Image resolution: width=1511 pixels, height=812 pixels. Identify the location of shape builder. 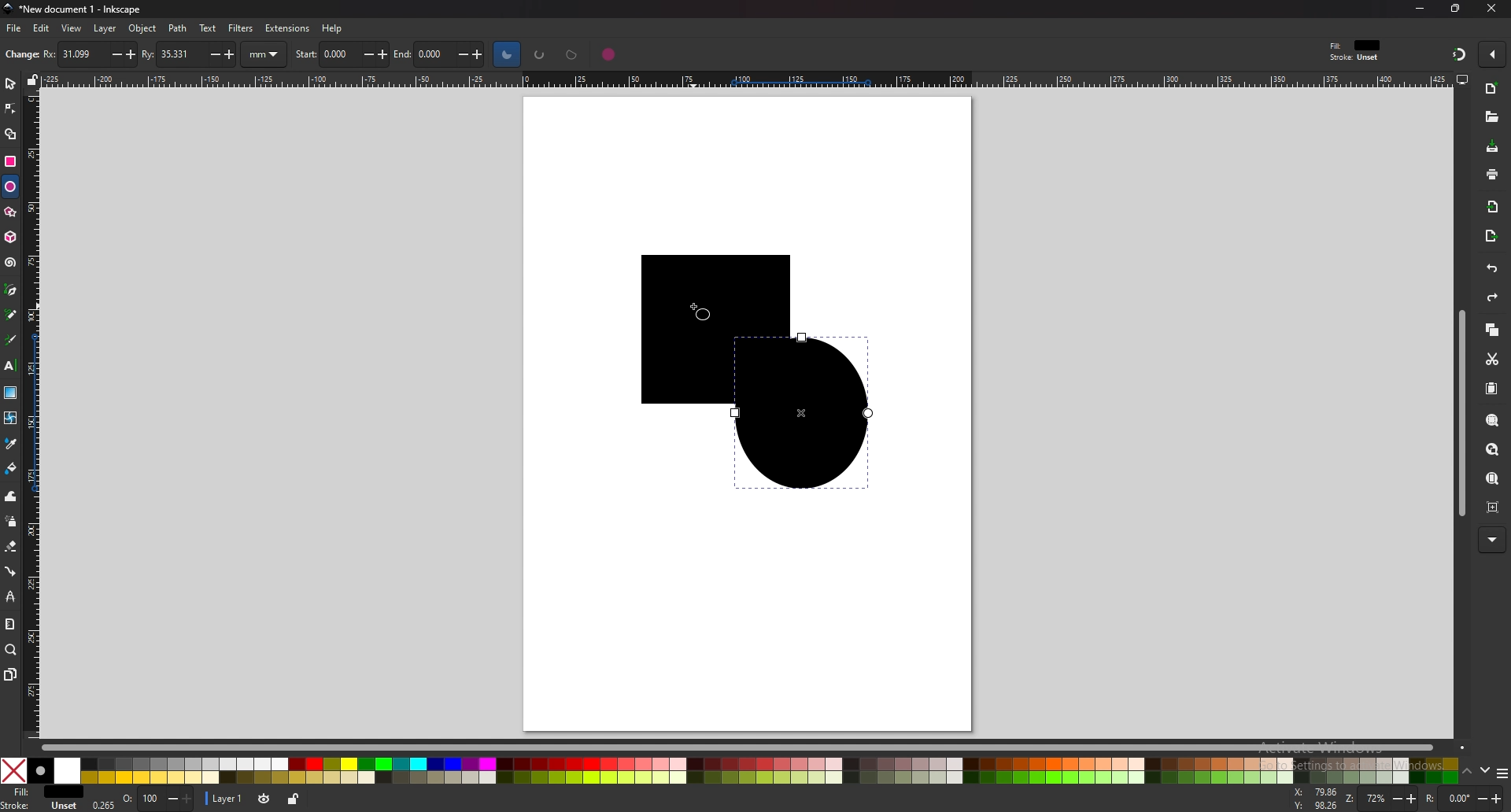
(9, 135).